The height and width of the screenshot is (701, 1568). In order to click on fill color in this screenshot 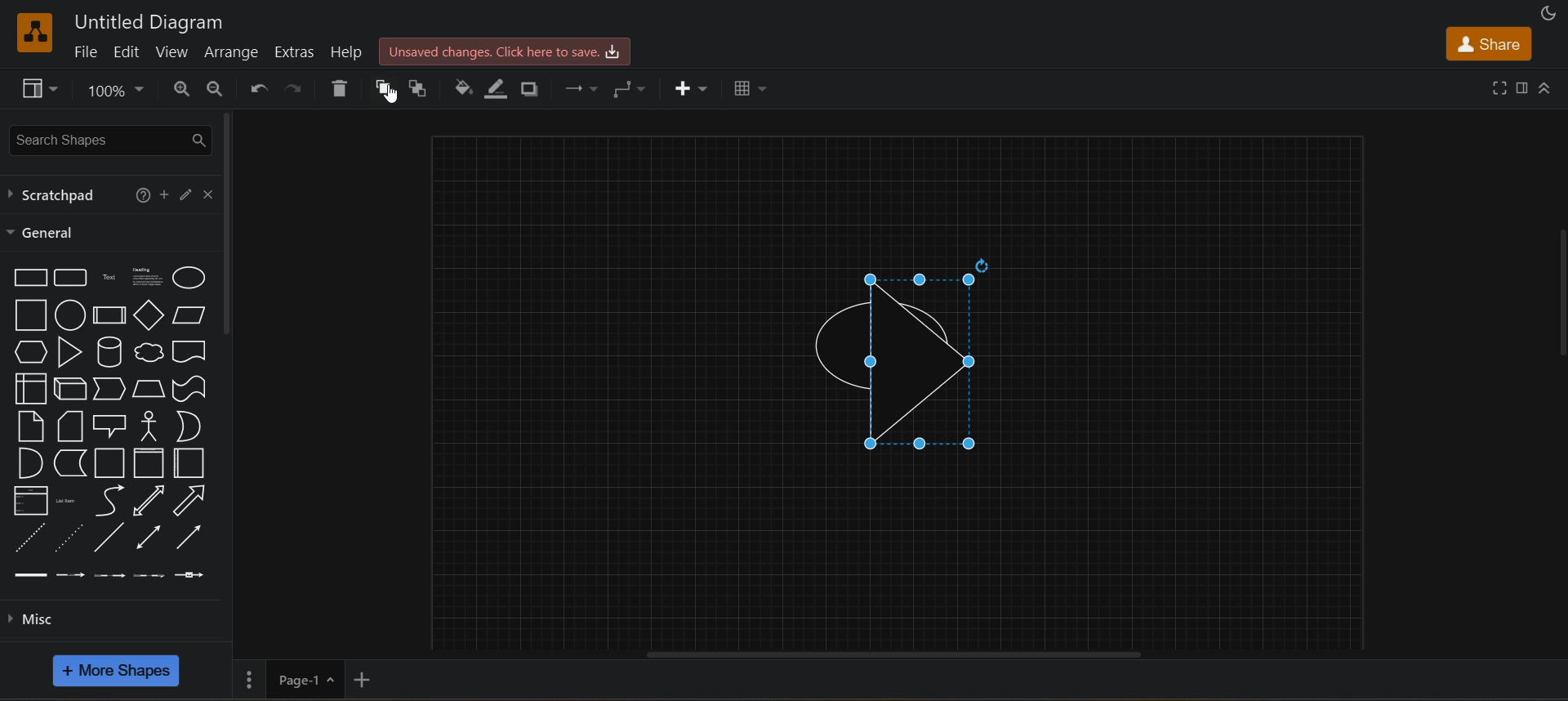, I will do `click(461, 88)`.